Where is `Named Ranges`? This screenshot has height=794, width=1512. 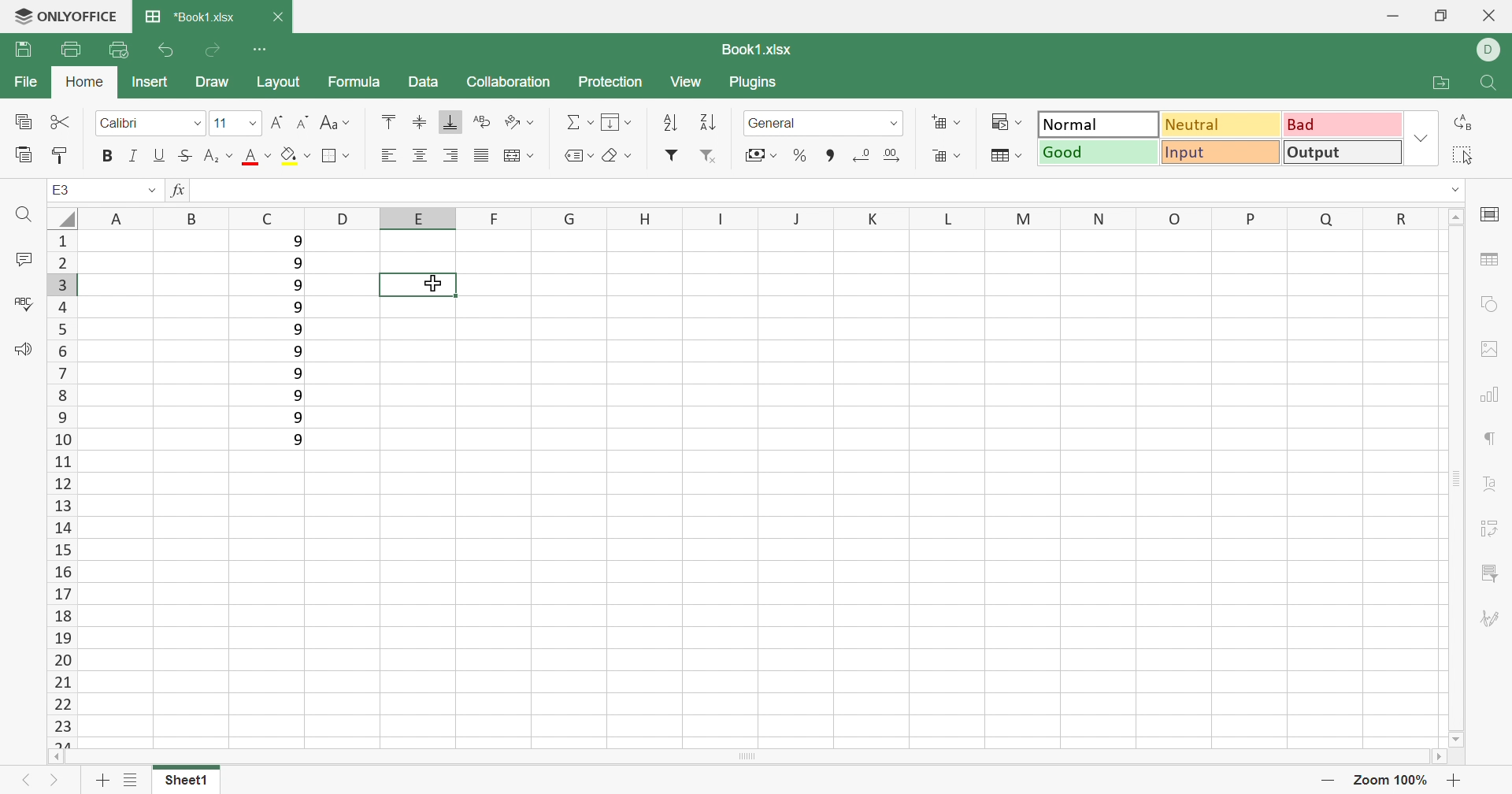 Named Ranges is located at coordinates (575, 157).